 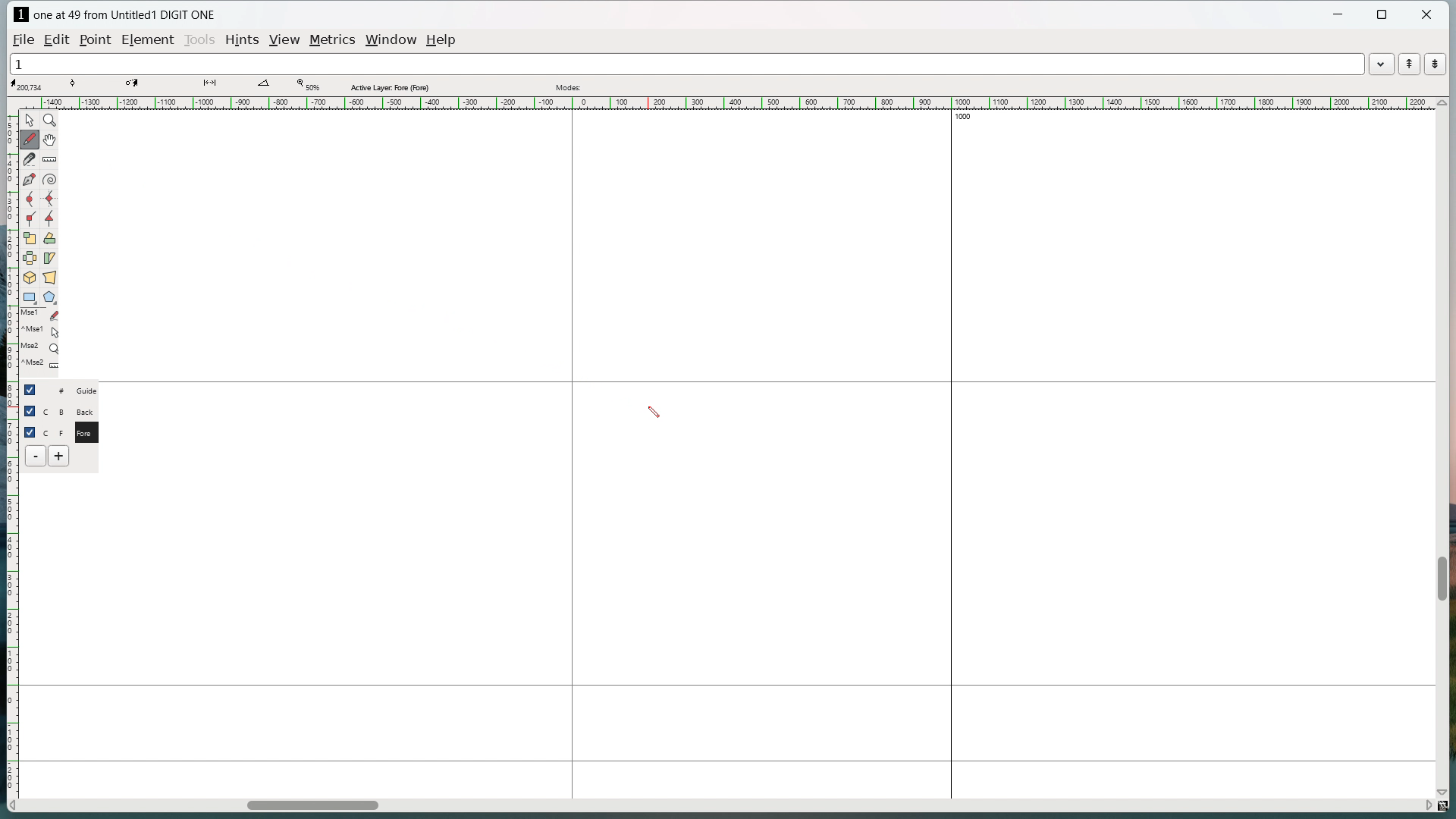 What do you see at coordinates (307, 85) in the screenshot?
I see `Zoom level ` at bounding box center [307, 85].